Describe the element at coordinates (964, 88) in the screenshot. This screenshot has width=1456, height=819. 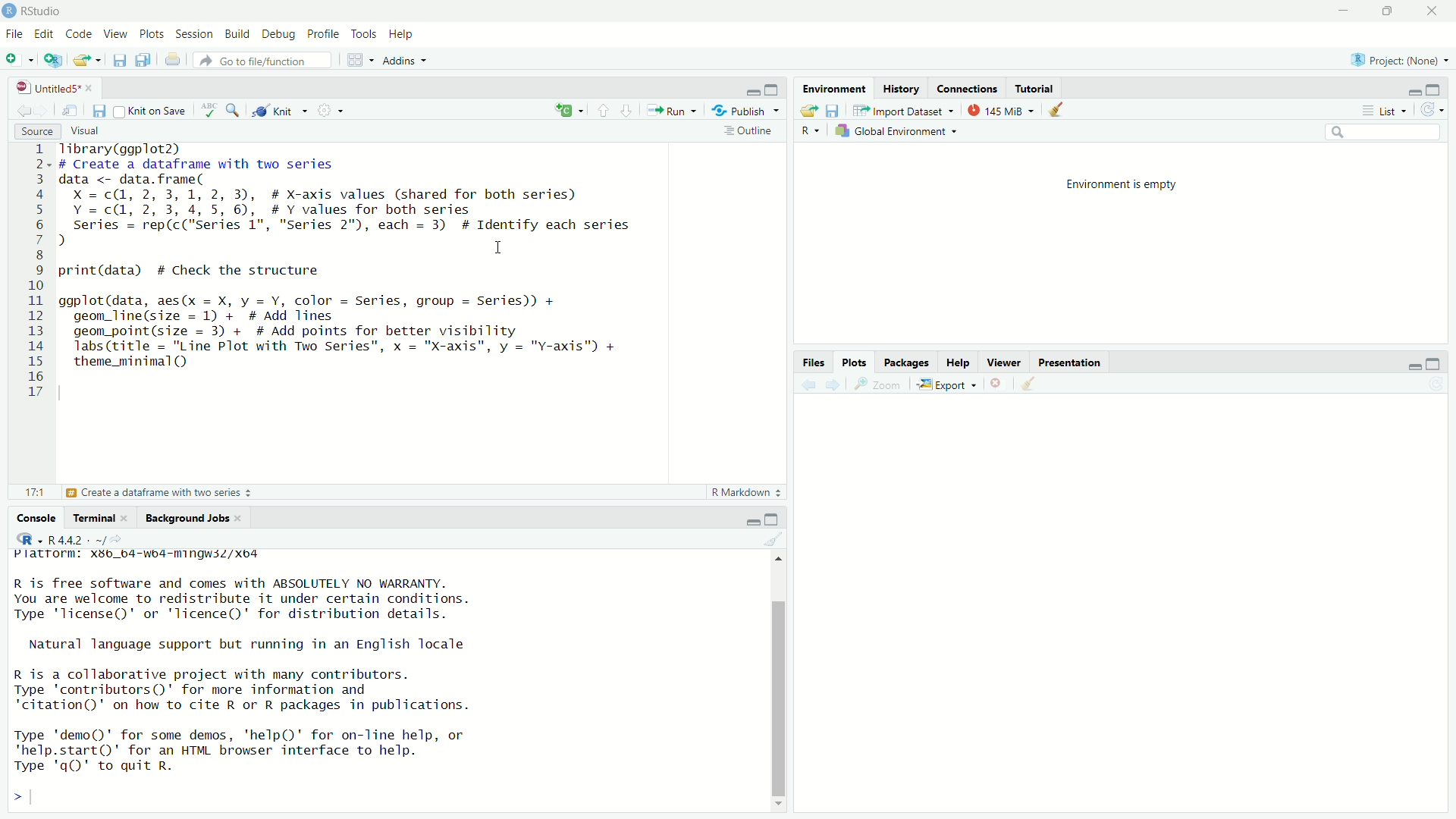
I see `Connections` at that location.